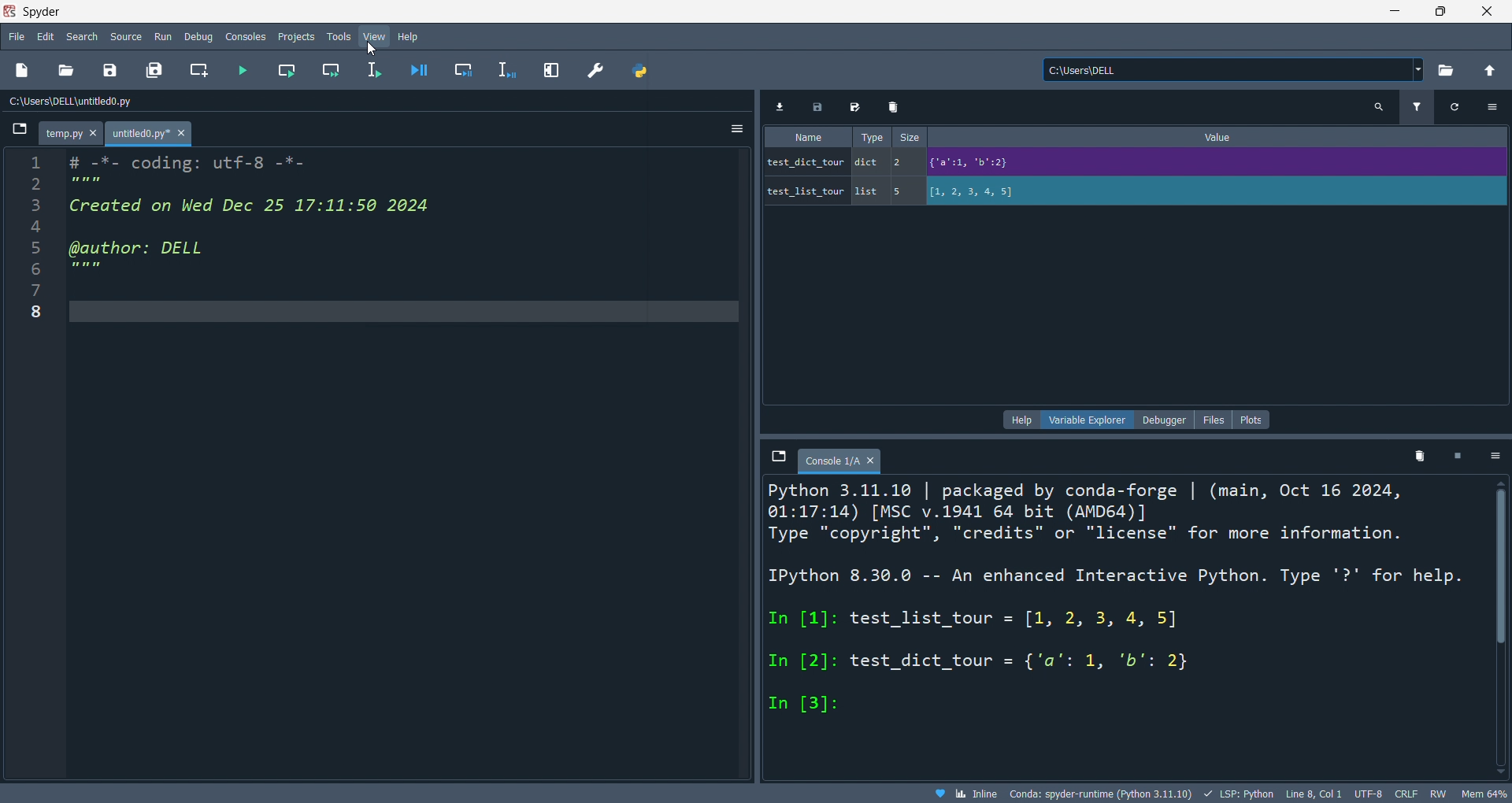 This screenshot has height=803, width=1512. Describe the element at coordinates (1102, 794) in the screenshot. I see `interpreter` at that location.